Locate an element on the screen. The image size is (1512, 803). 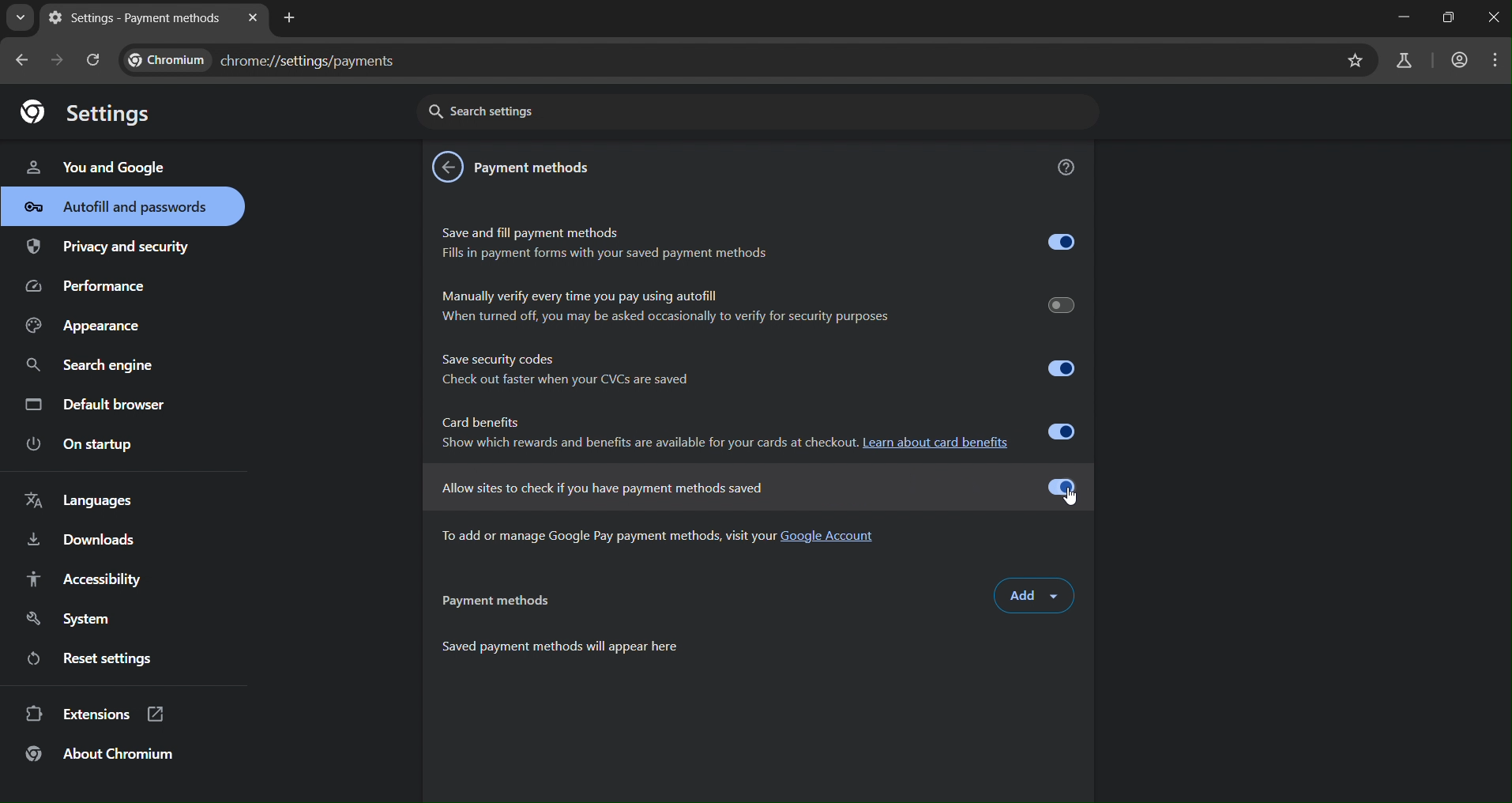
languages is located at coordinates (77, 500).